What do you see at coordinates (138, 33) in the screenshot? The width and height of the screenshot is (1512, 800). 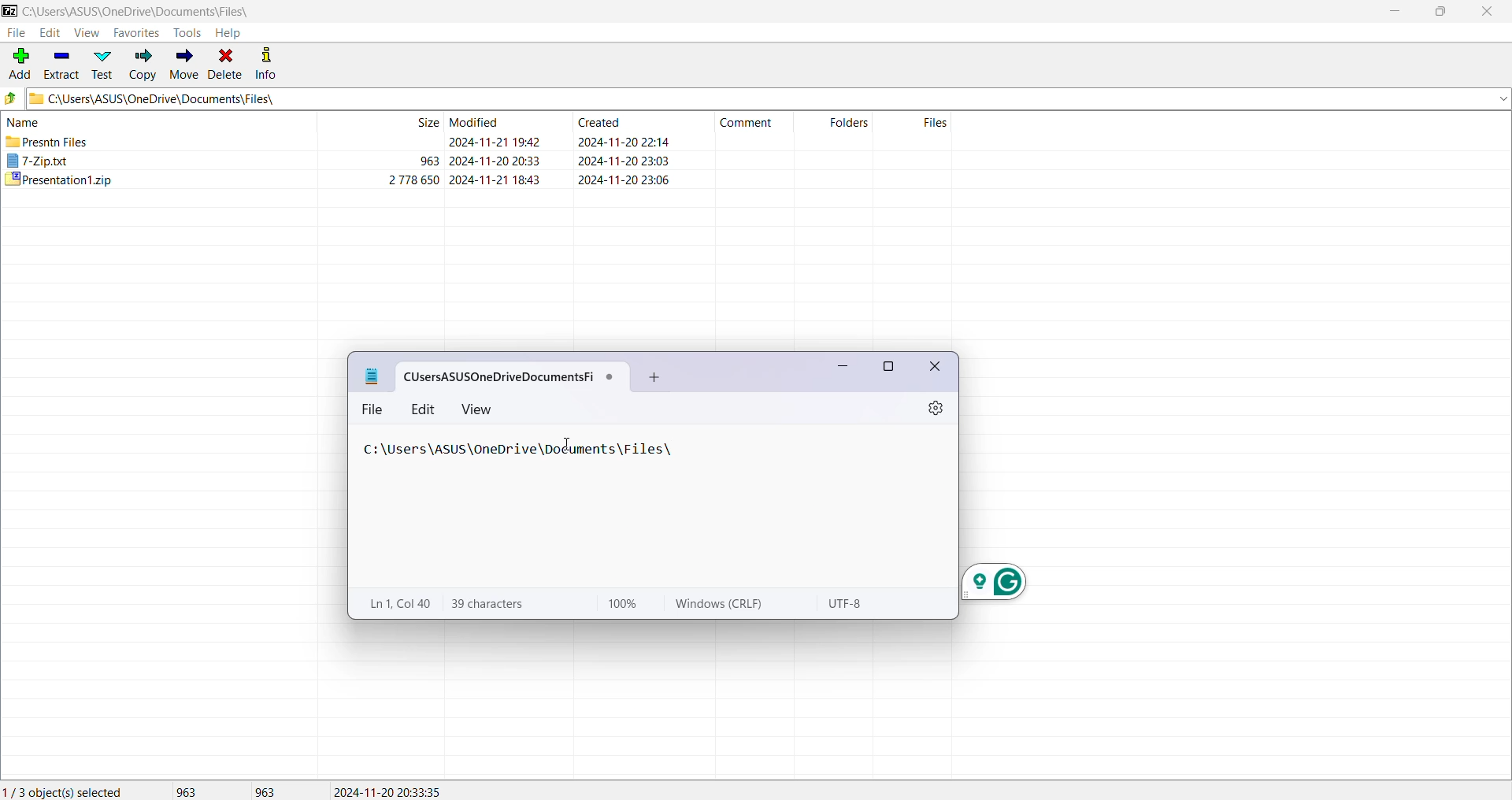 I see `Favorites` at bounding box center [138, 33].